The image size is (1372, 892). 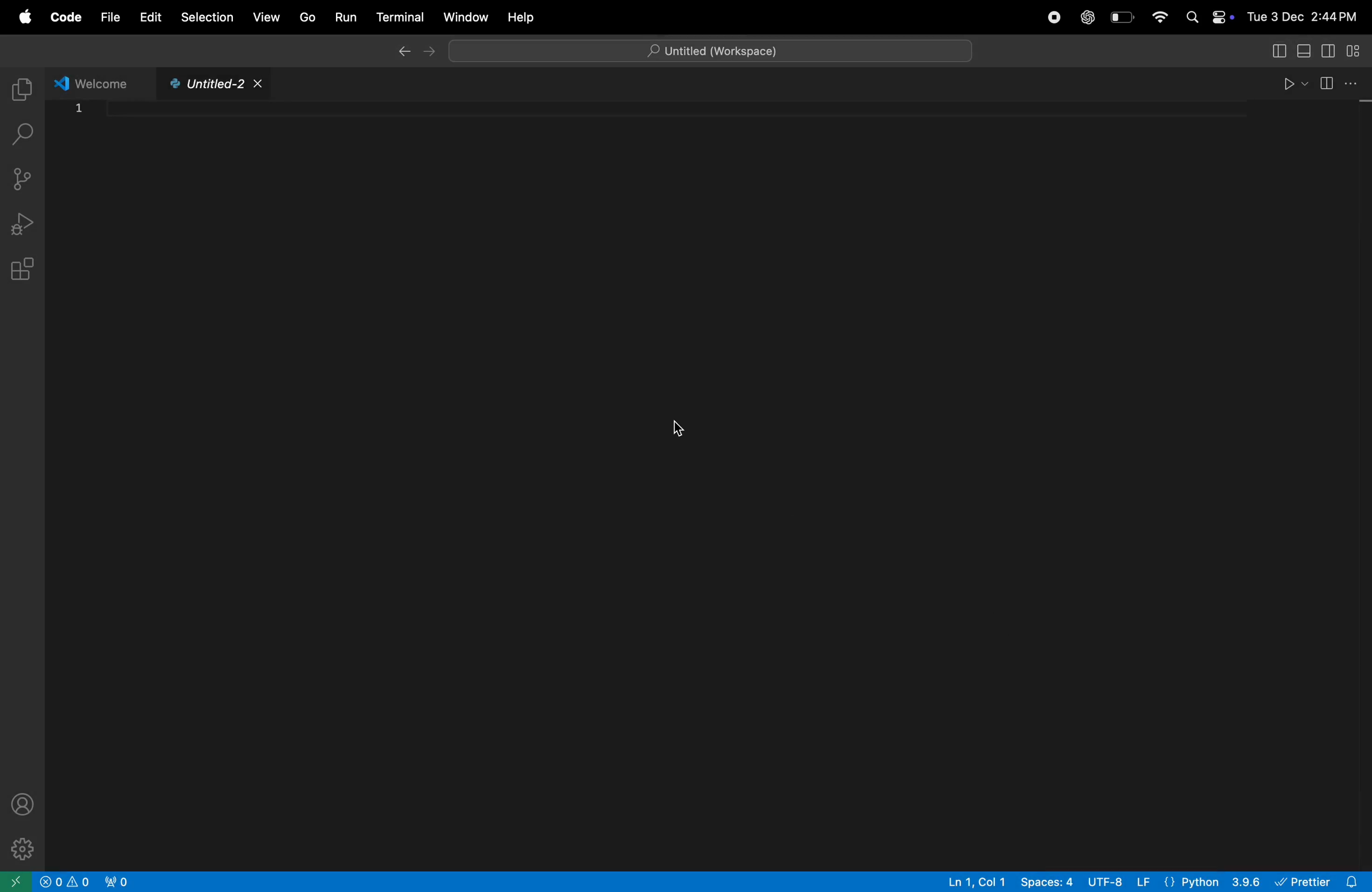 I want to click on go, so click(x=306, y=16).